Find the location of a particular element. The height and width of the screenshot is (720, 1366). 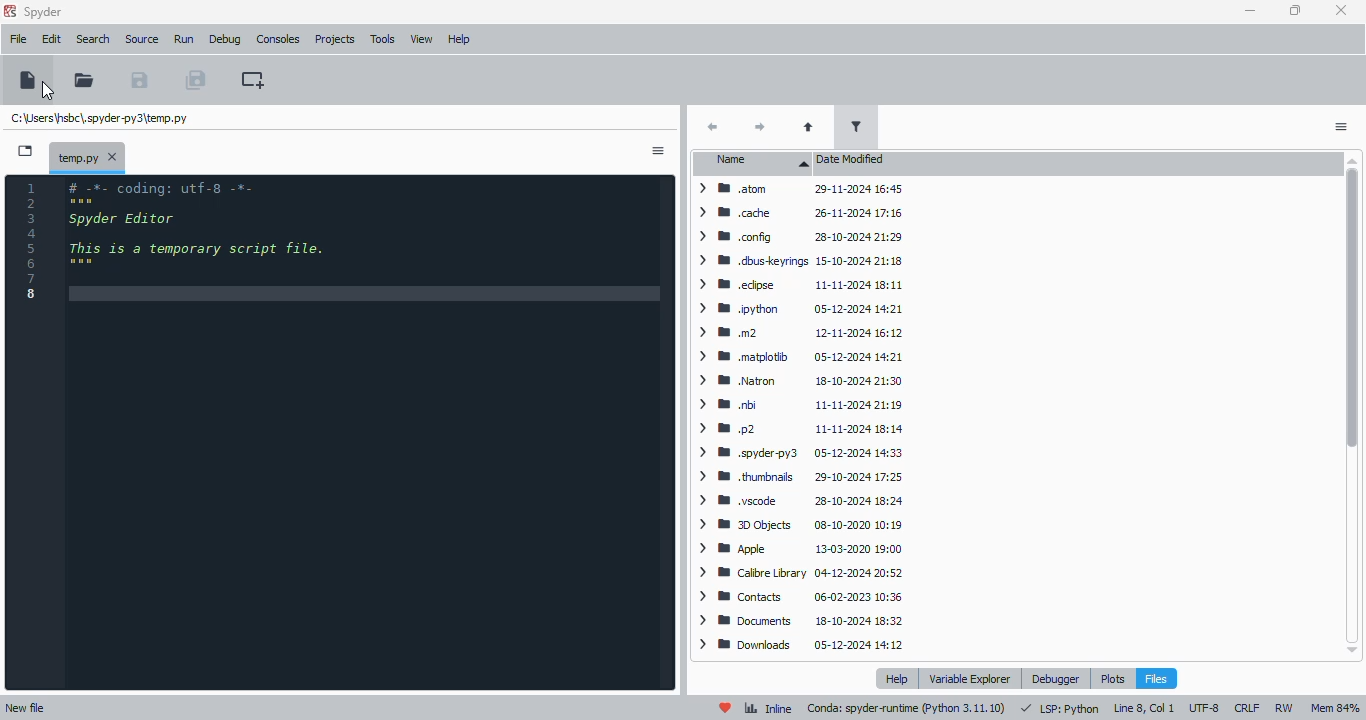

files is located at coordinates (1156, 678).